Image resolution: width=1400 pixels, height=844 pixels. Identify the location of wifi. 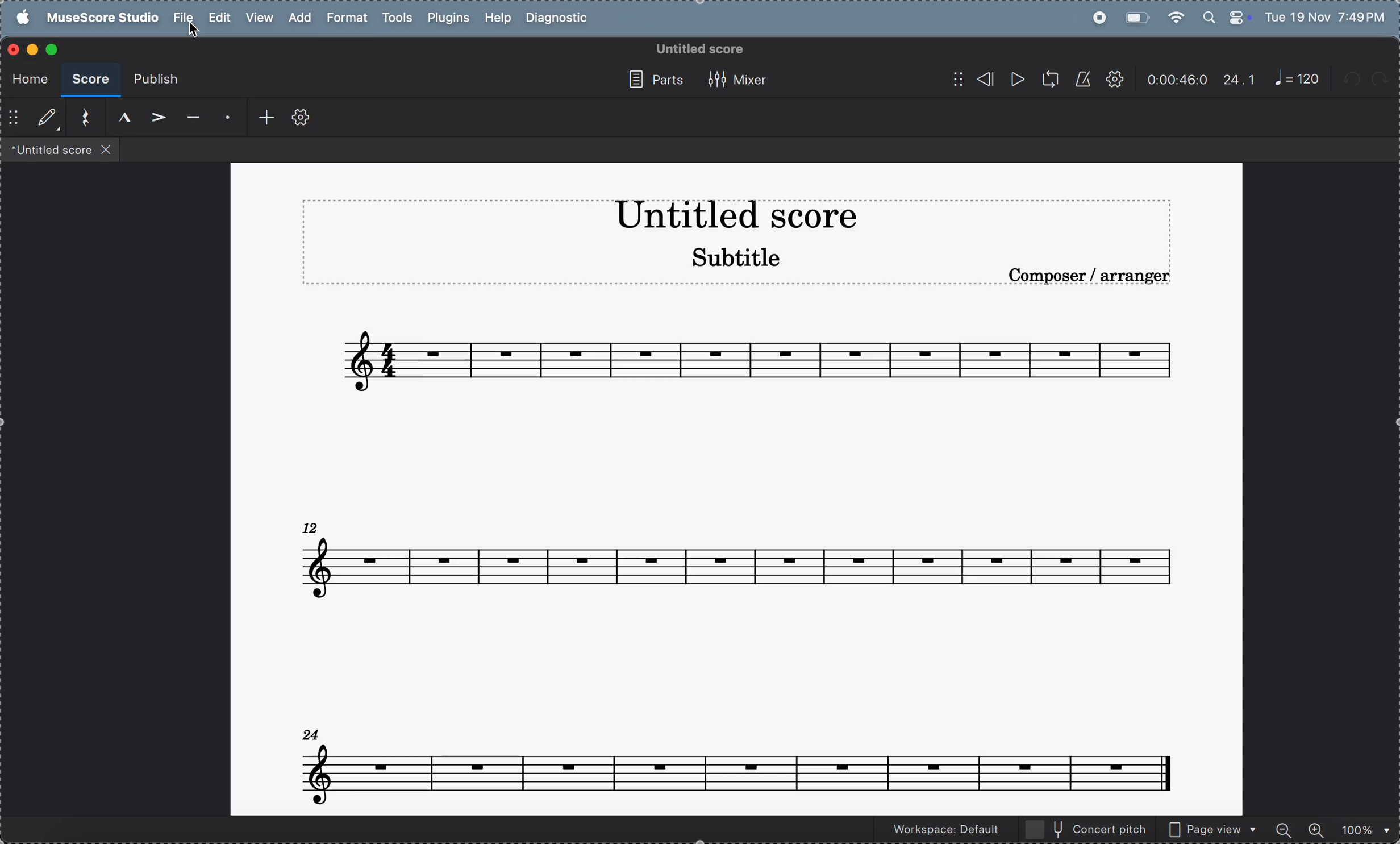
(1177, 17).